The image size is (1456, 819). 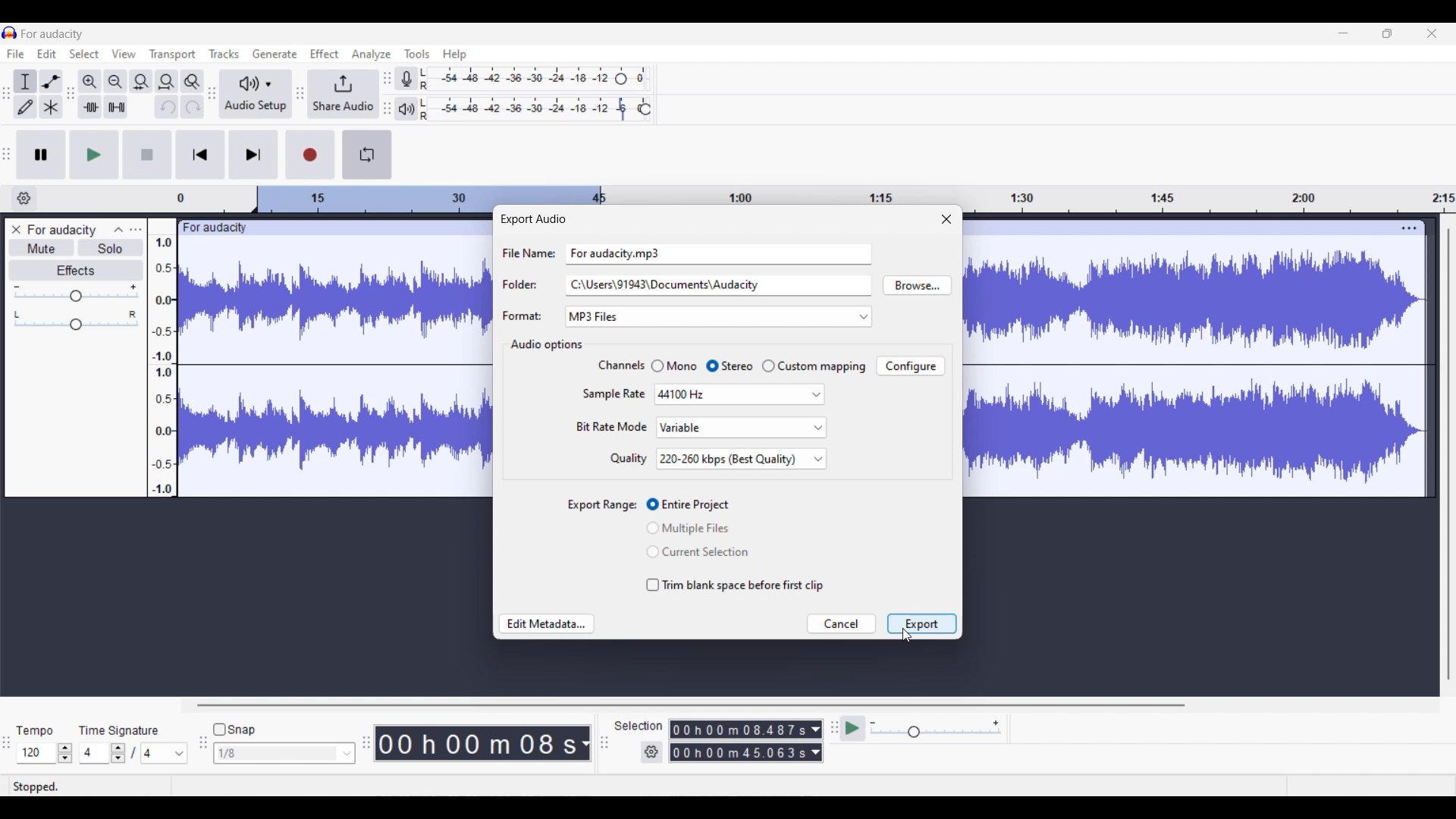 What do you see at coordinates (814, 366) in the screenshot?
I see `Toggle for Custom mapping` at bounding box center [814, 366].